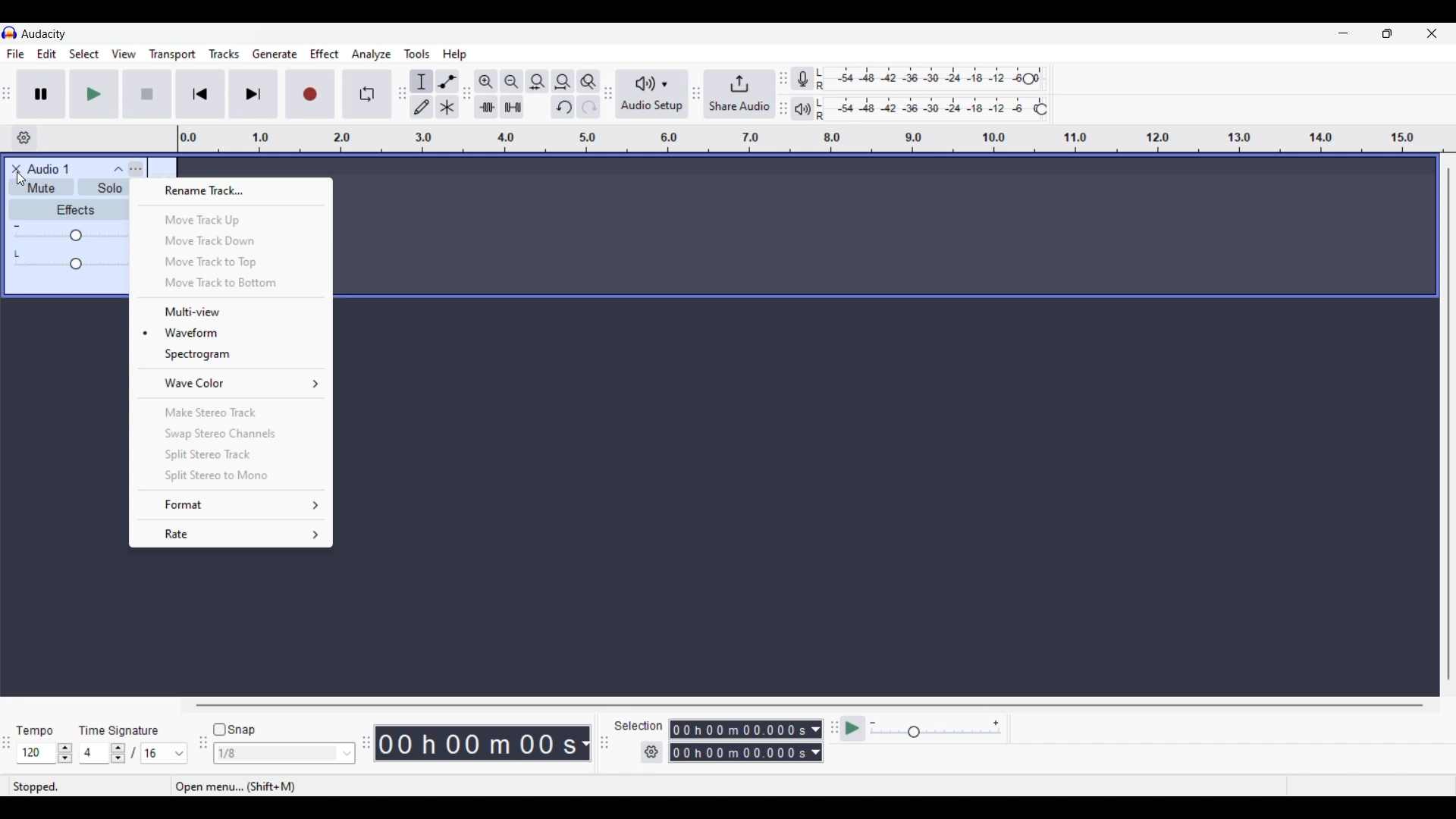 The height and width of the screenshot is (819, 1456). What do you see at coordinates (1448, 424) in the screenshot?
I see `Vertical slide bar` at bounding box center [1448, 424].